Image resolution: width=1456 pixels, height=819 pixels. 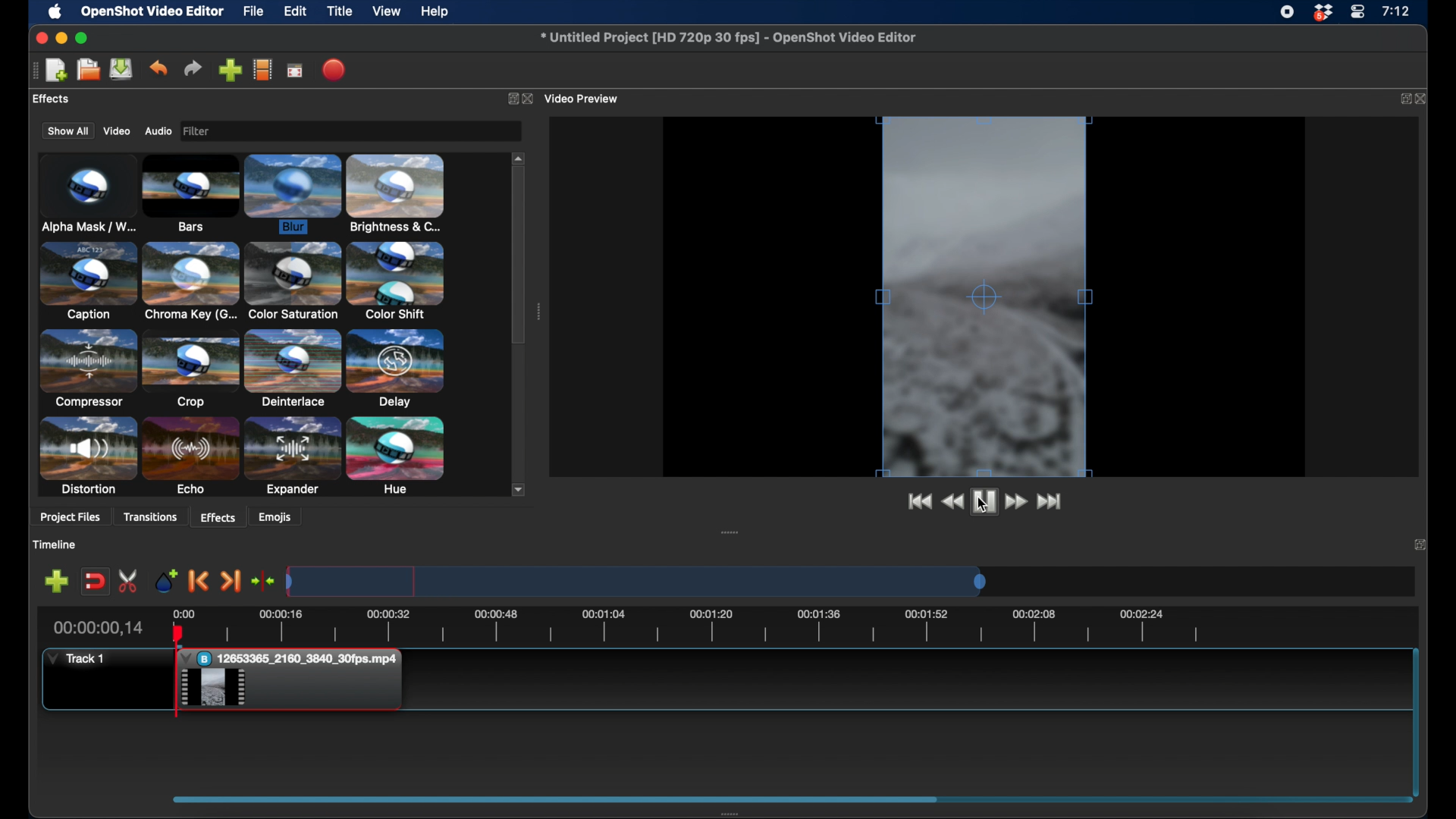 What do you see at coordinates (519, 258) in the screenshot?
I see `scroll box` at bounding box center [519, 258].